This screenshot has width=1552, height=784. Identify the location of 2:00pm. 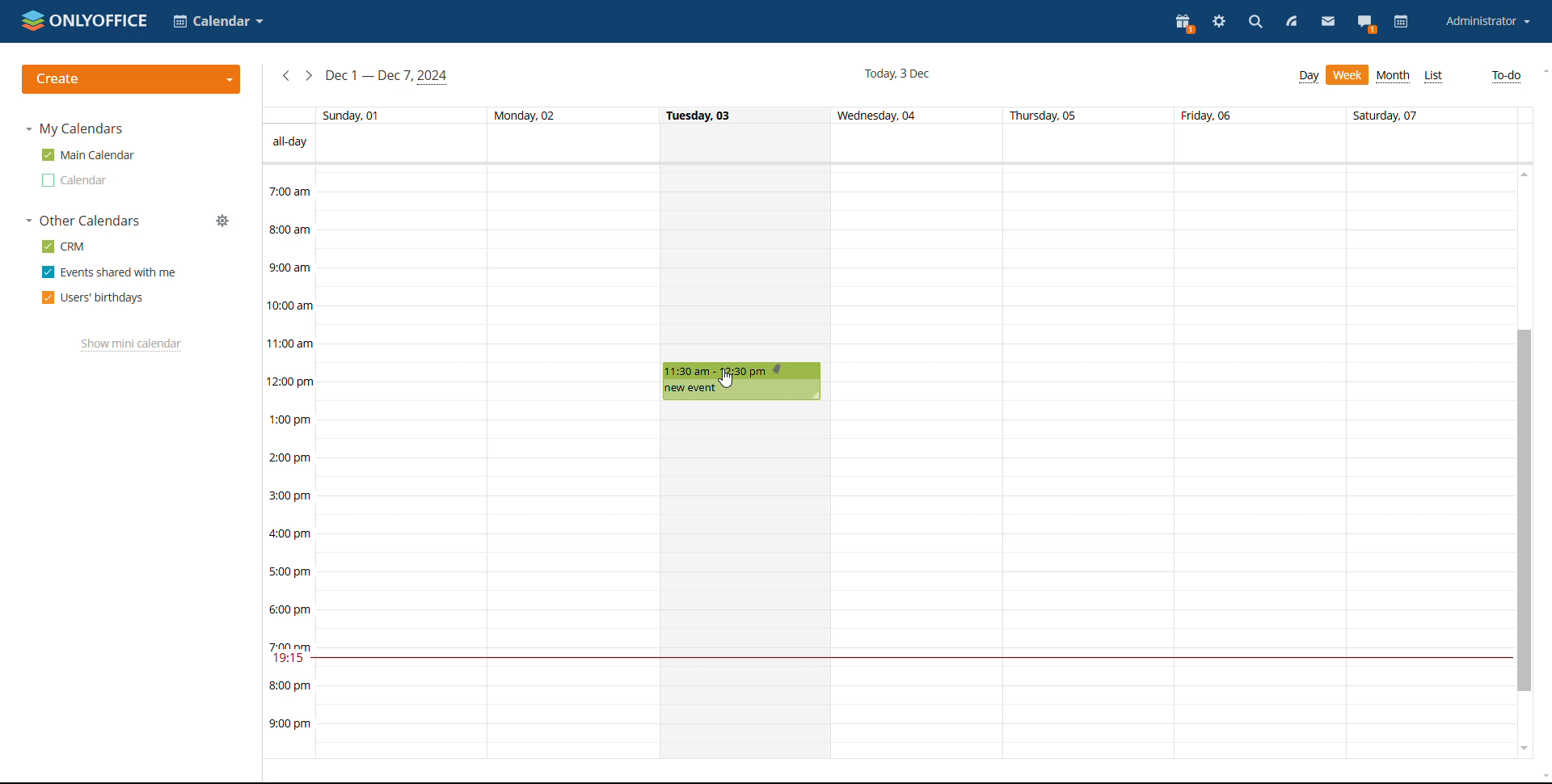
(291, 459).